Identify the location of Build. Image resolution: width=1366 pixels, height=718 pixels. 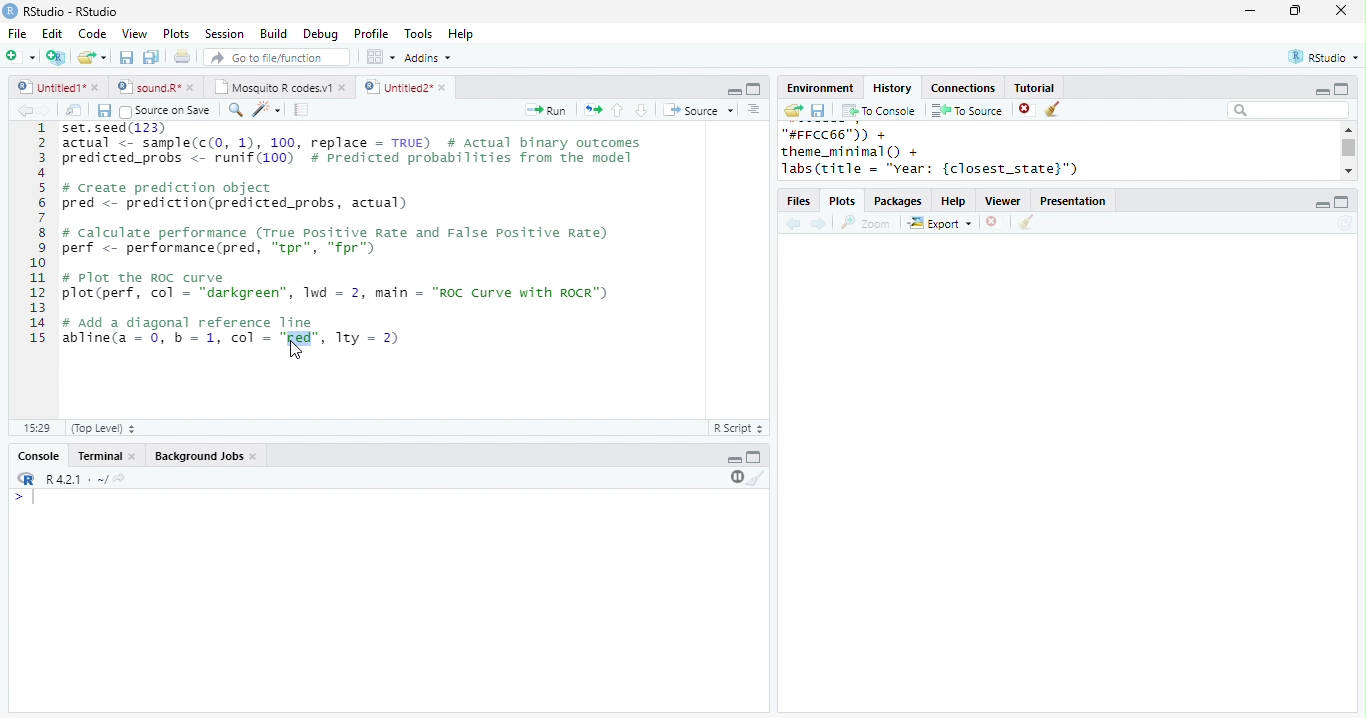
(273, 34).